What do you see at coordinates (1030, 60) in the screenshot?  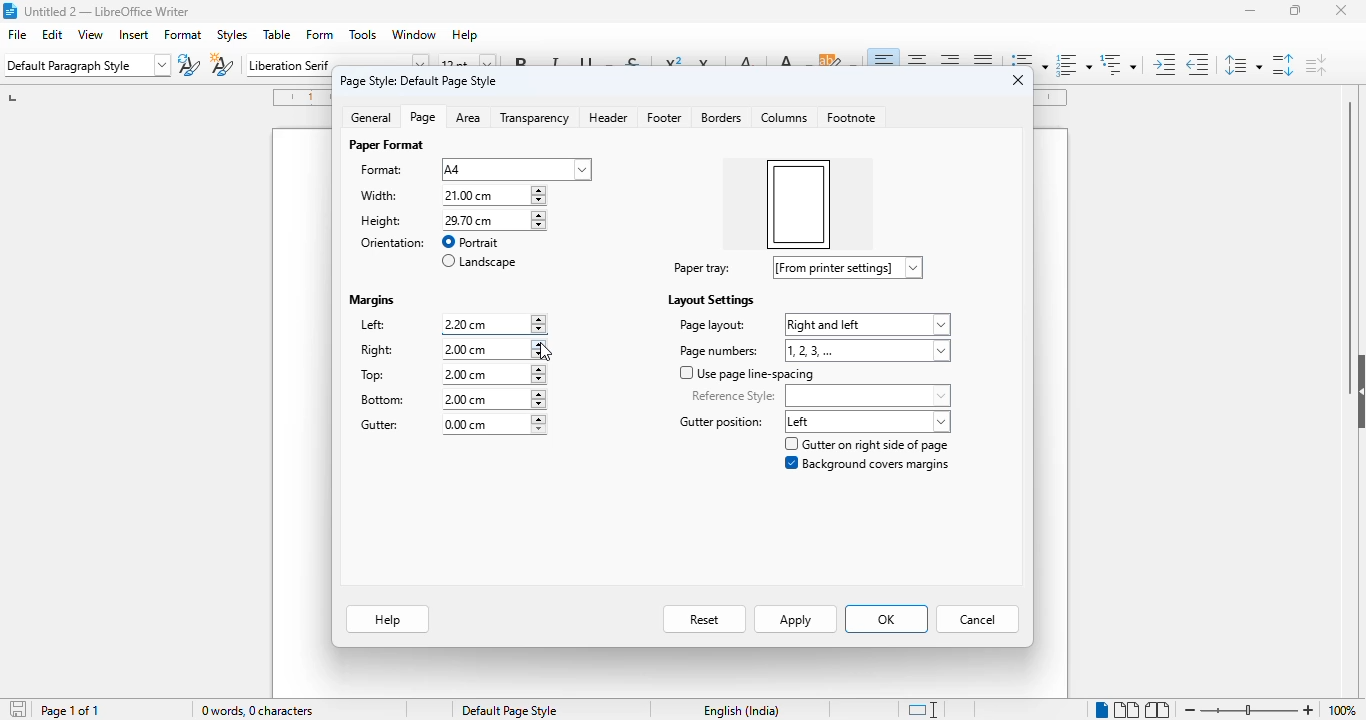 I see `toggle unordered list` at bounding box center [1030, 60].